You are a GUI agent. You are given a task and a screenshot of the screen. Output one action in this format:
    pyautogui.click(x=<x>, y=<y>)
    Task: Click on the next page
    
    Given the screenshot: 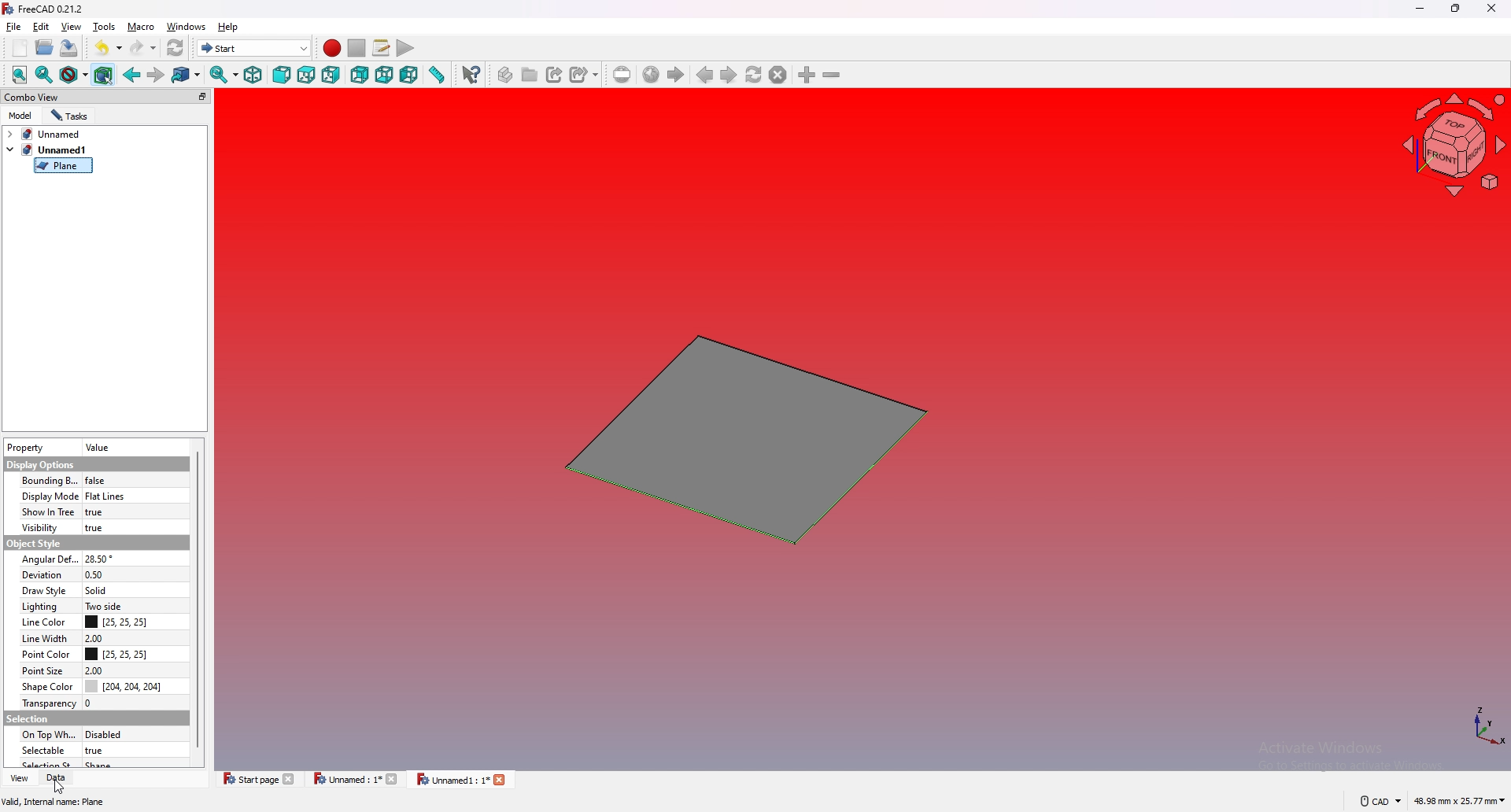 What is the action you would take?
    pyautogui.click(x=730, y=76)
    